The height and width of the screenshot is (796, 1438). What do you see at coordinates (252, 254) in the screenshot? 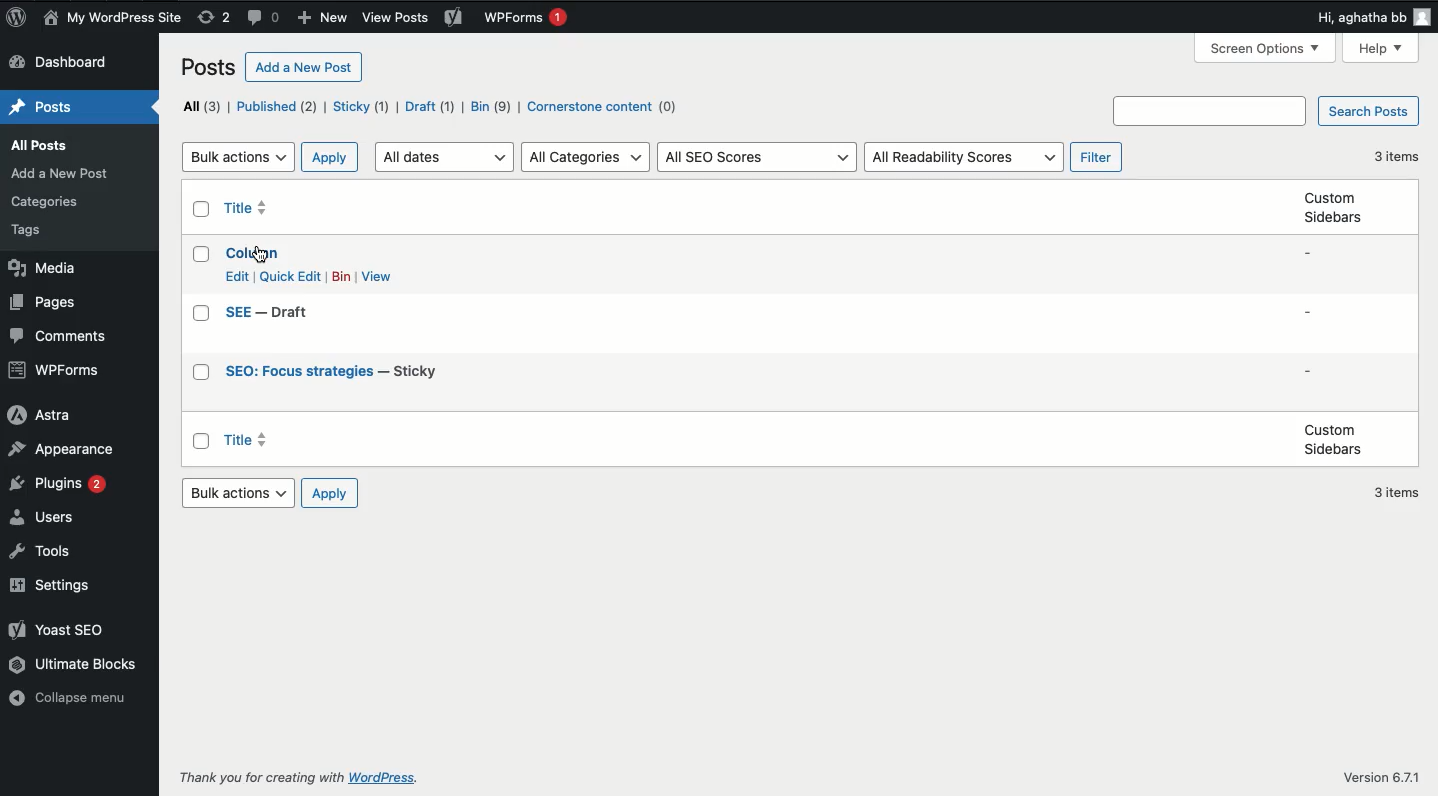
I see `Title` at bounding box center [252, 254].